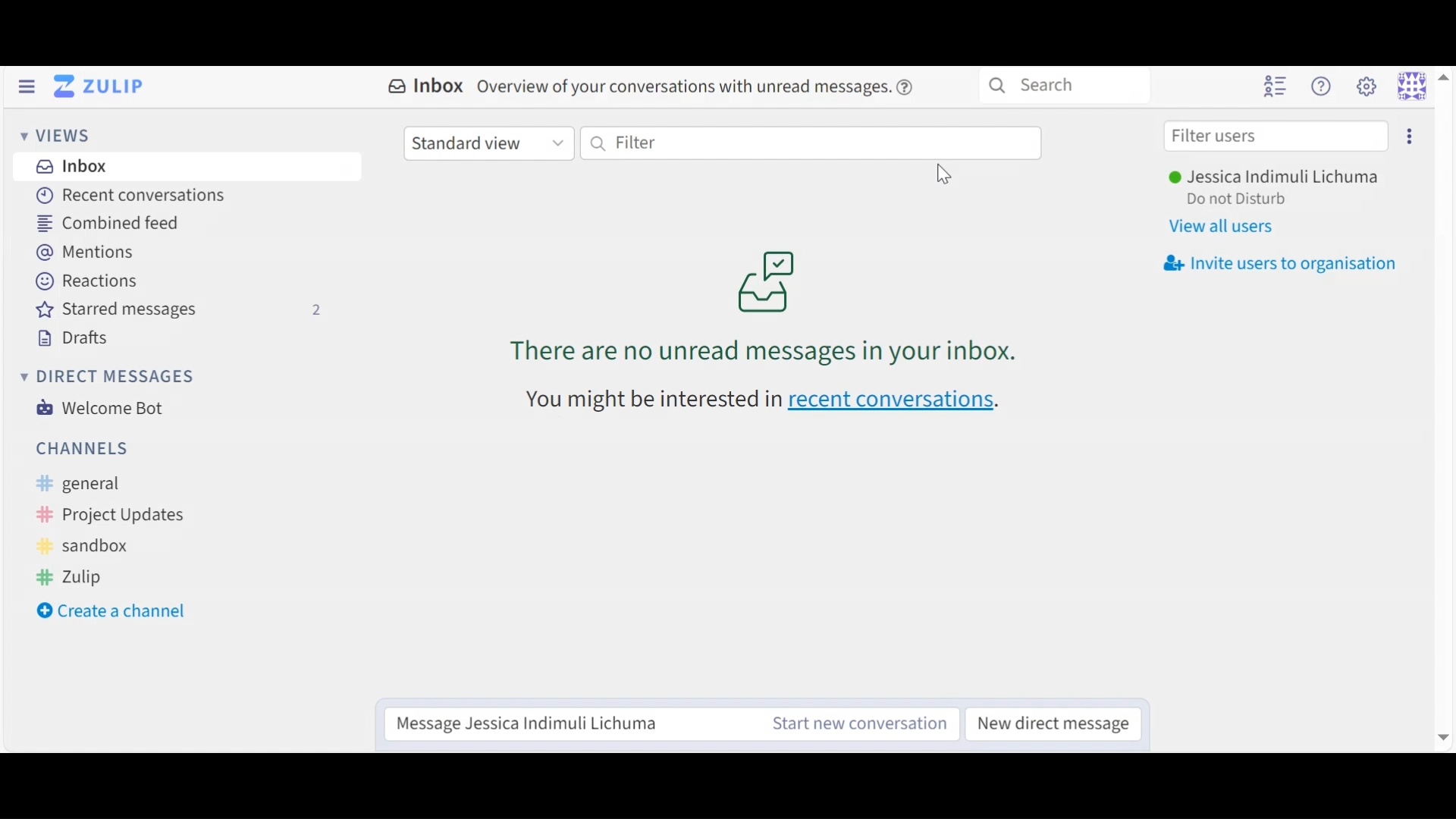  Describe the element at coordinates (118, 613) in the screenshot. I see `Create a new Channel` at that location.